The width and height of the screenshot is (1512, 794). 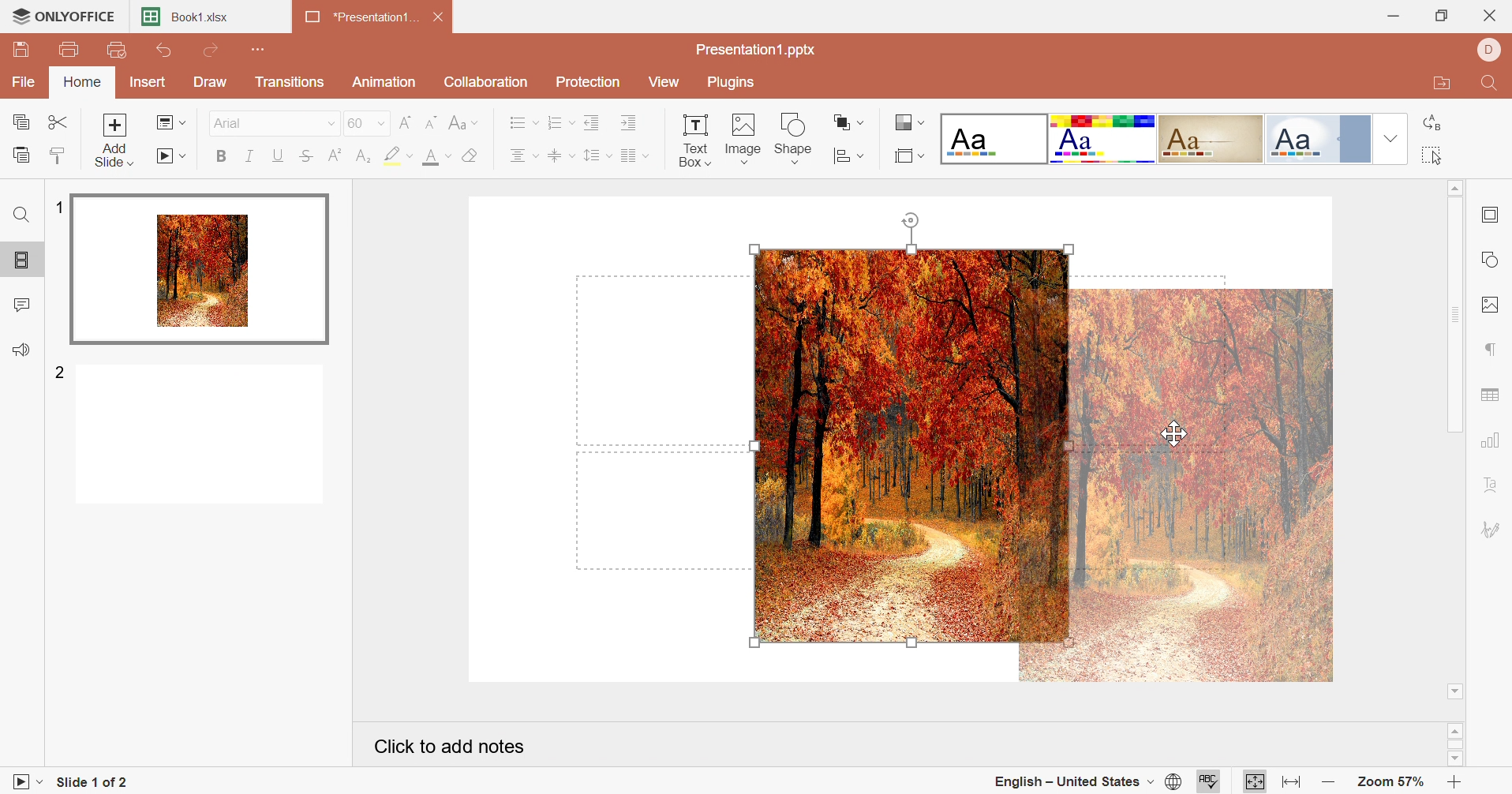 What do you see at coordinates (21, 217) in the screenshot?
I see `Find` at bounding box center [21, 217].